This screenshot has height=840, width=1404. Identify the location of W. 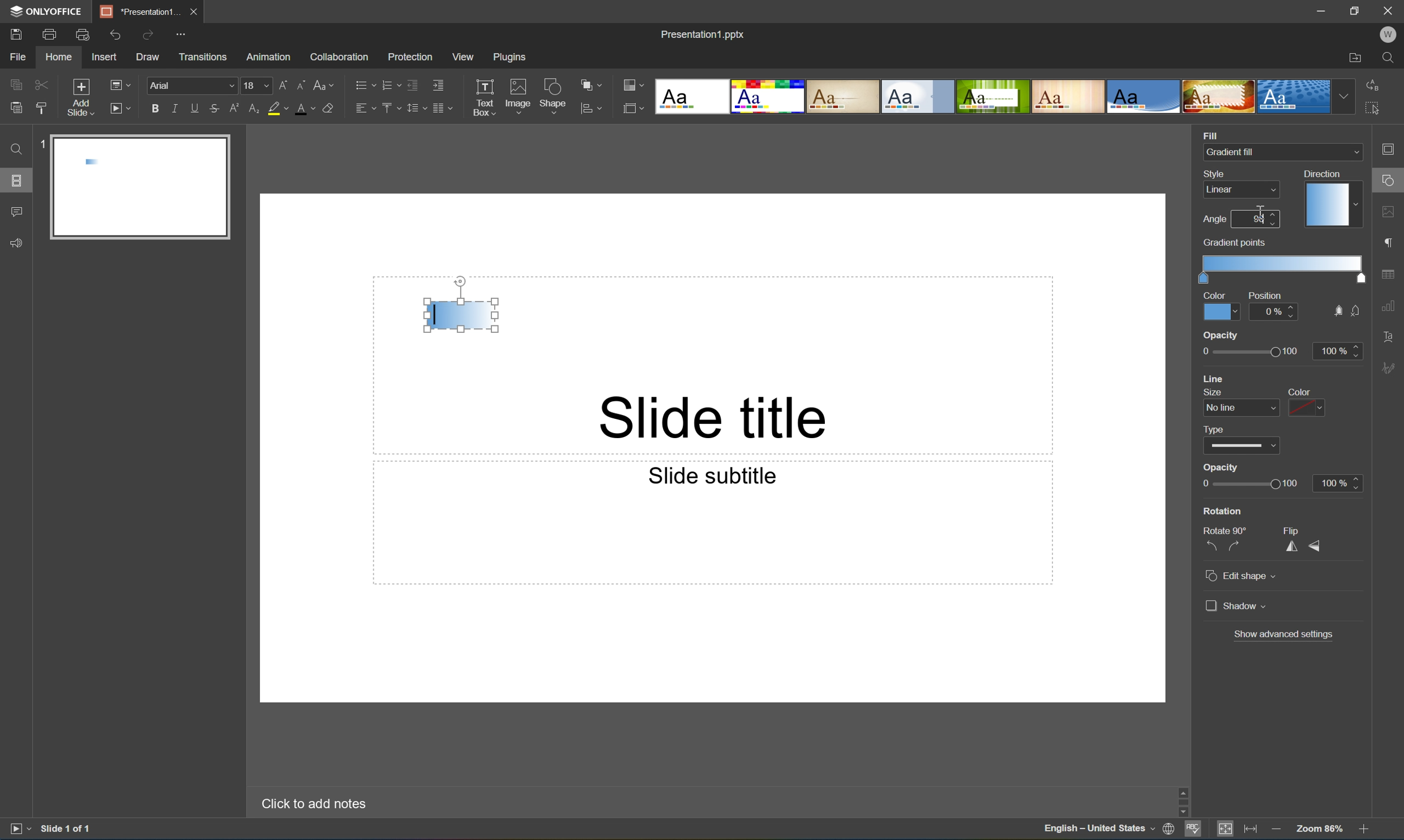
(1390, 35).